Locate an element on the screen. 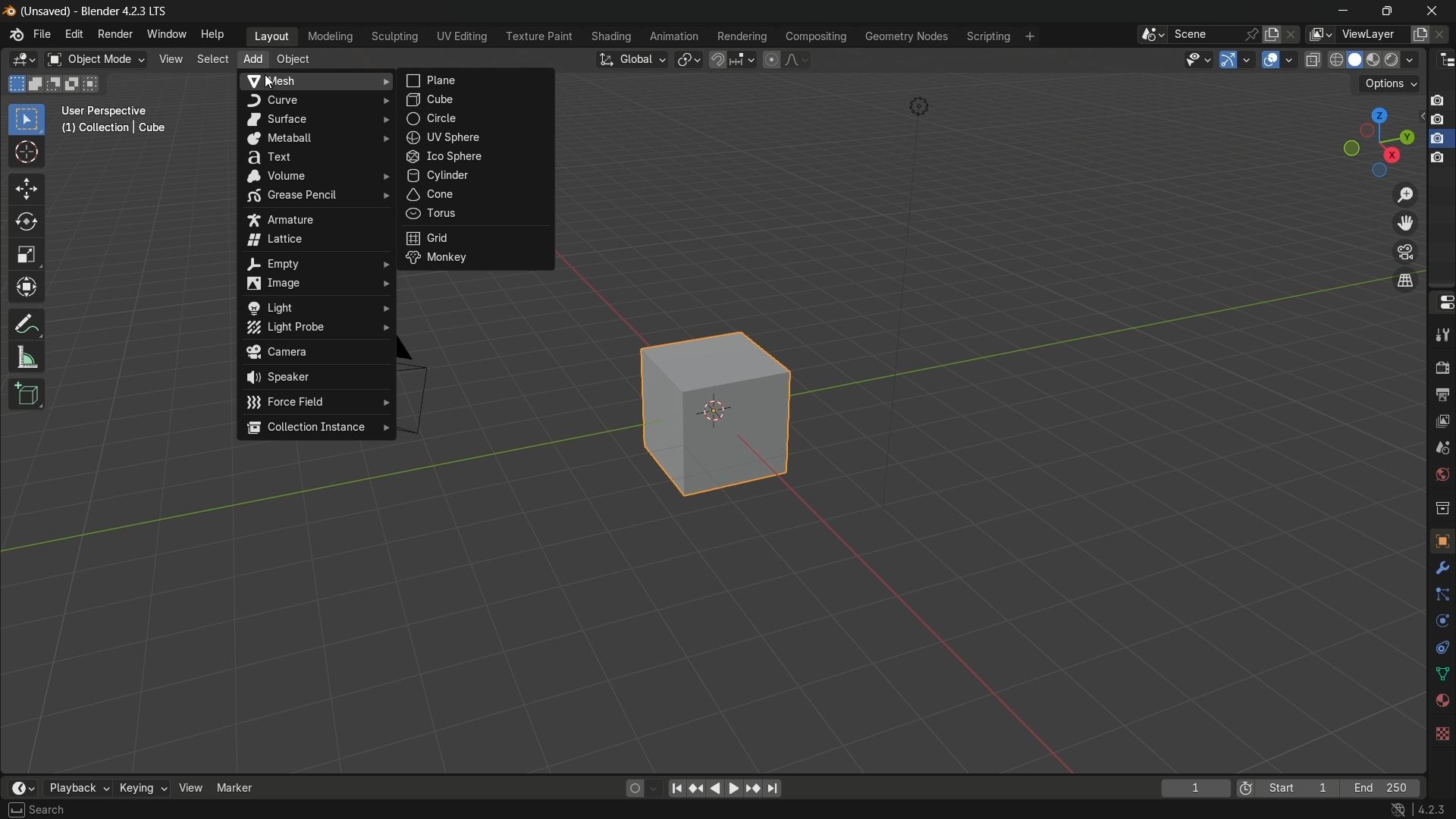 The image size is (1456, 819). render is located at coordinates (1442, 364).